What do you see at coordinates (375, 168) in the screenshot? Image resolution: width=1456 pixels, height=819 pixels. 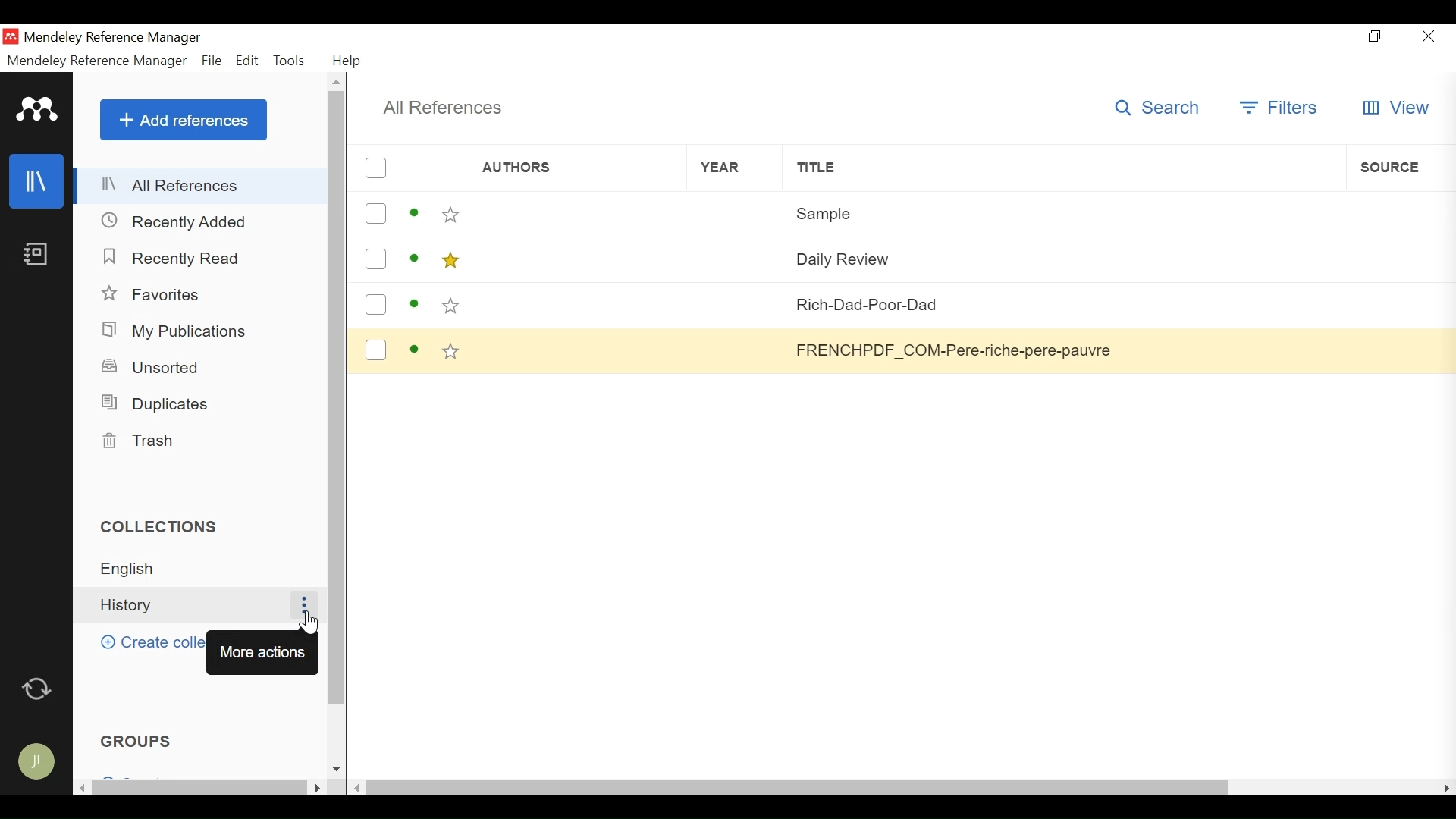 I see `(un)select` at bounding box center [375, 168].